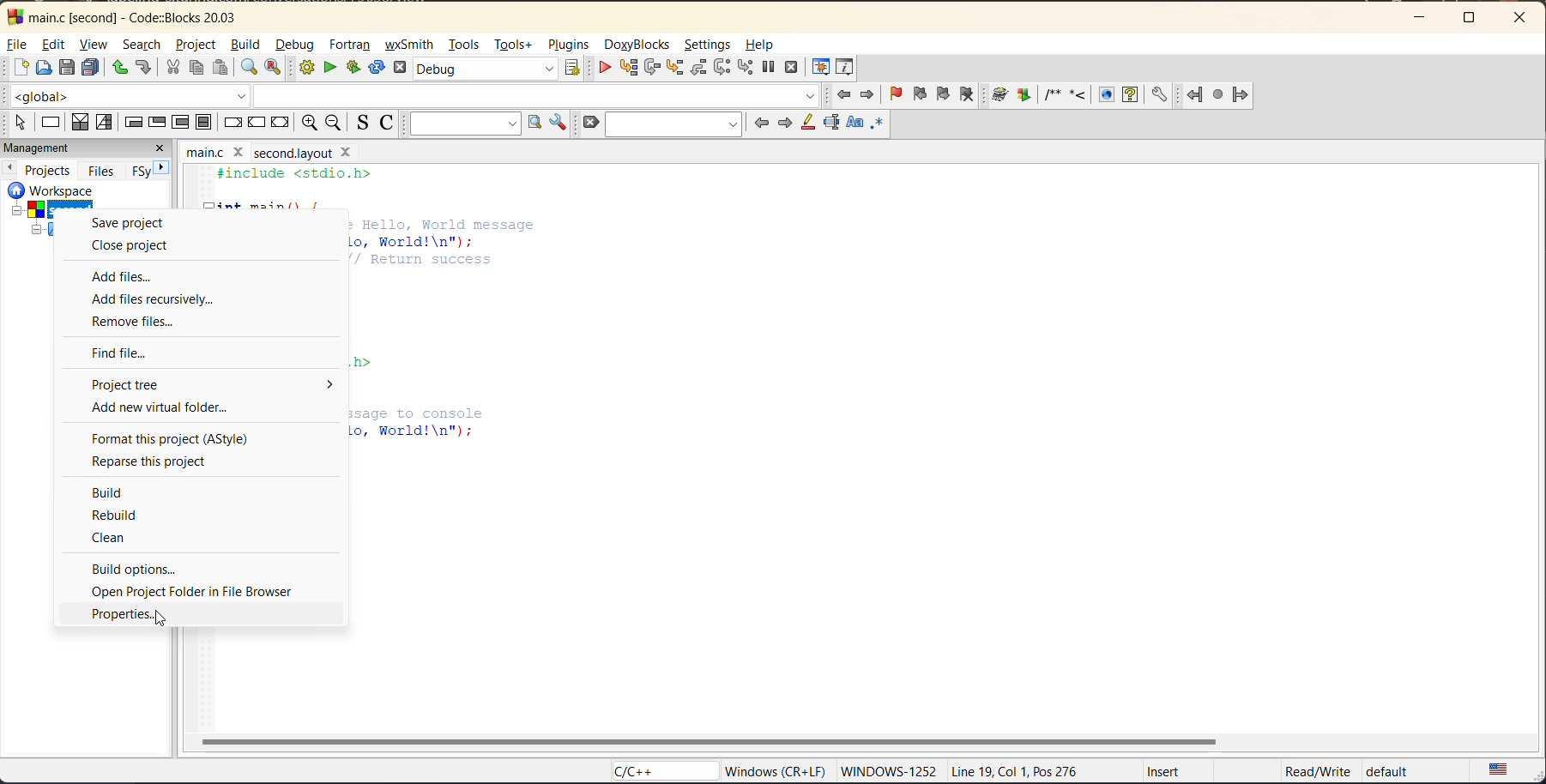  Describe the element at coordinates (486, 71) in the screenshot. I see `build target` at that location.